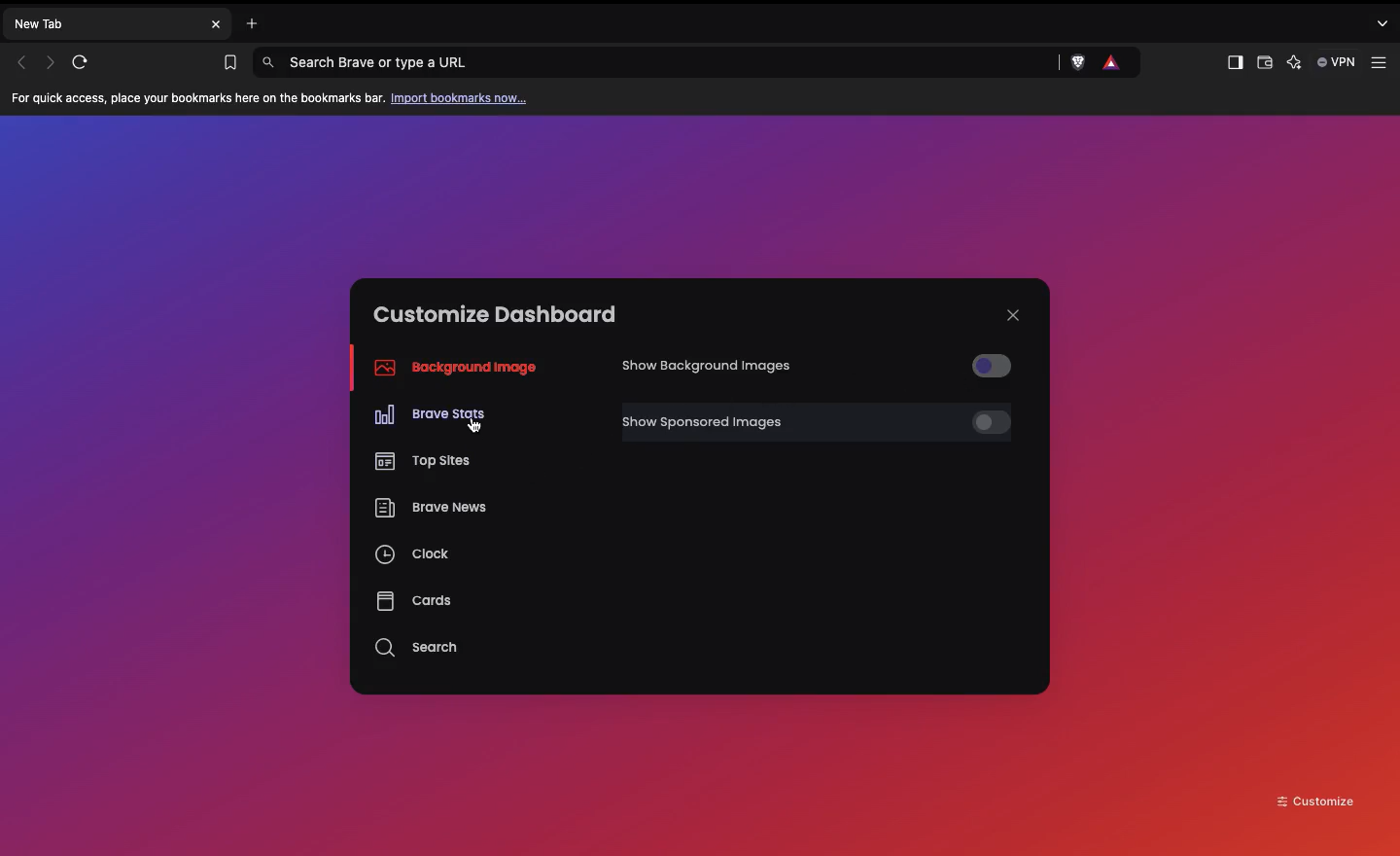  Describe the element at coordinates (430, 415) in the screenshot. I see `Brave stats` at that location.